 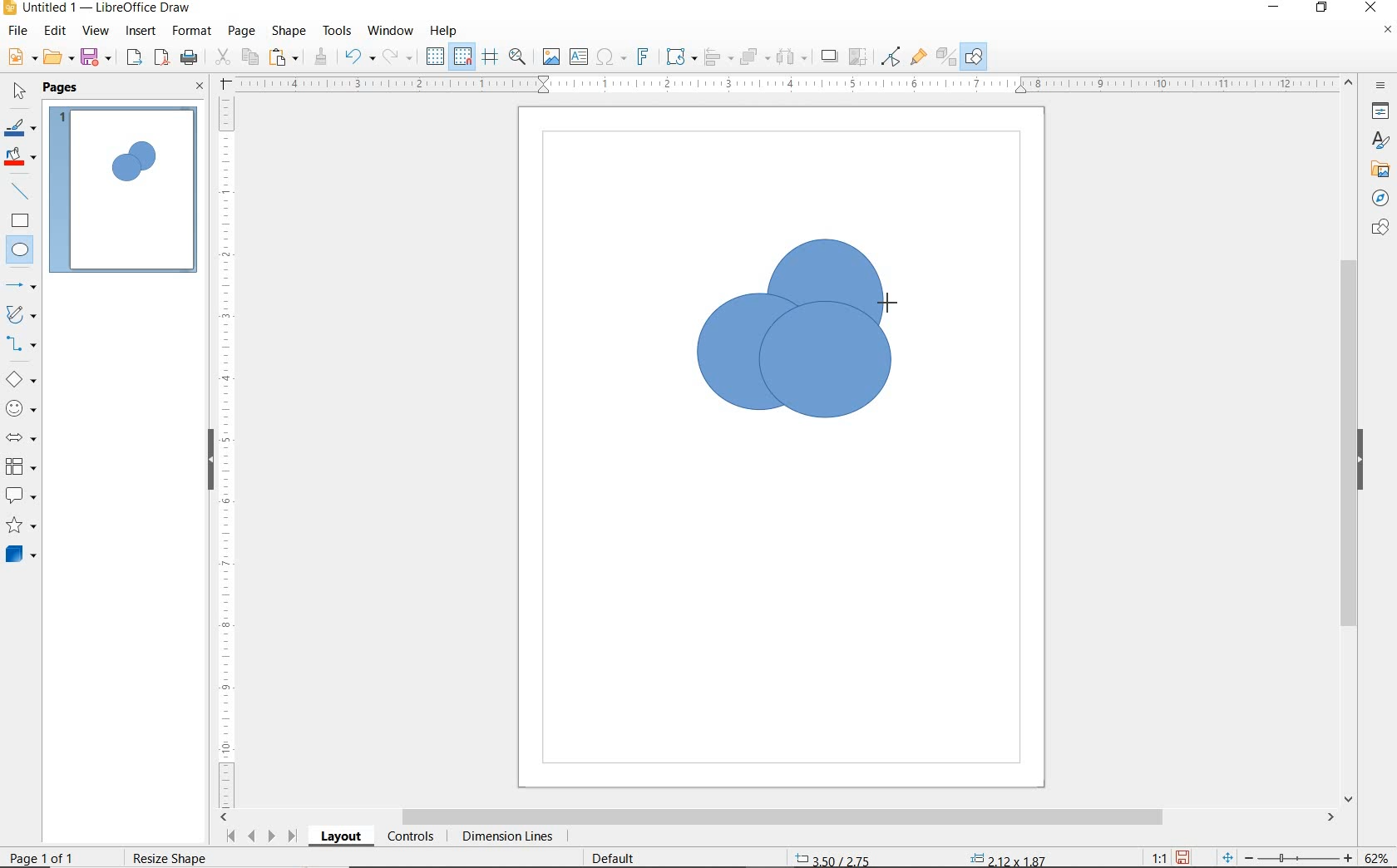 I want to click on PASTE, so click(x=285, y=57).